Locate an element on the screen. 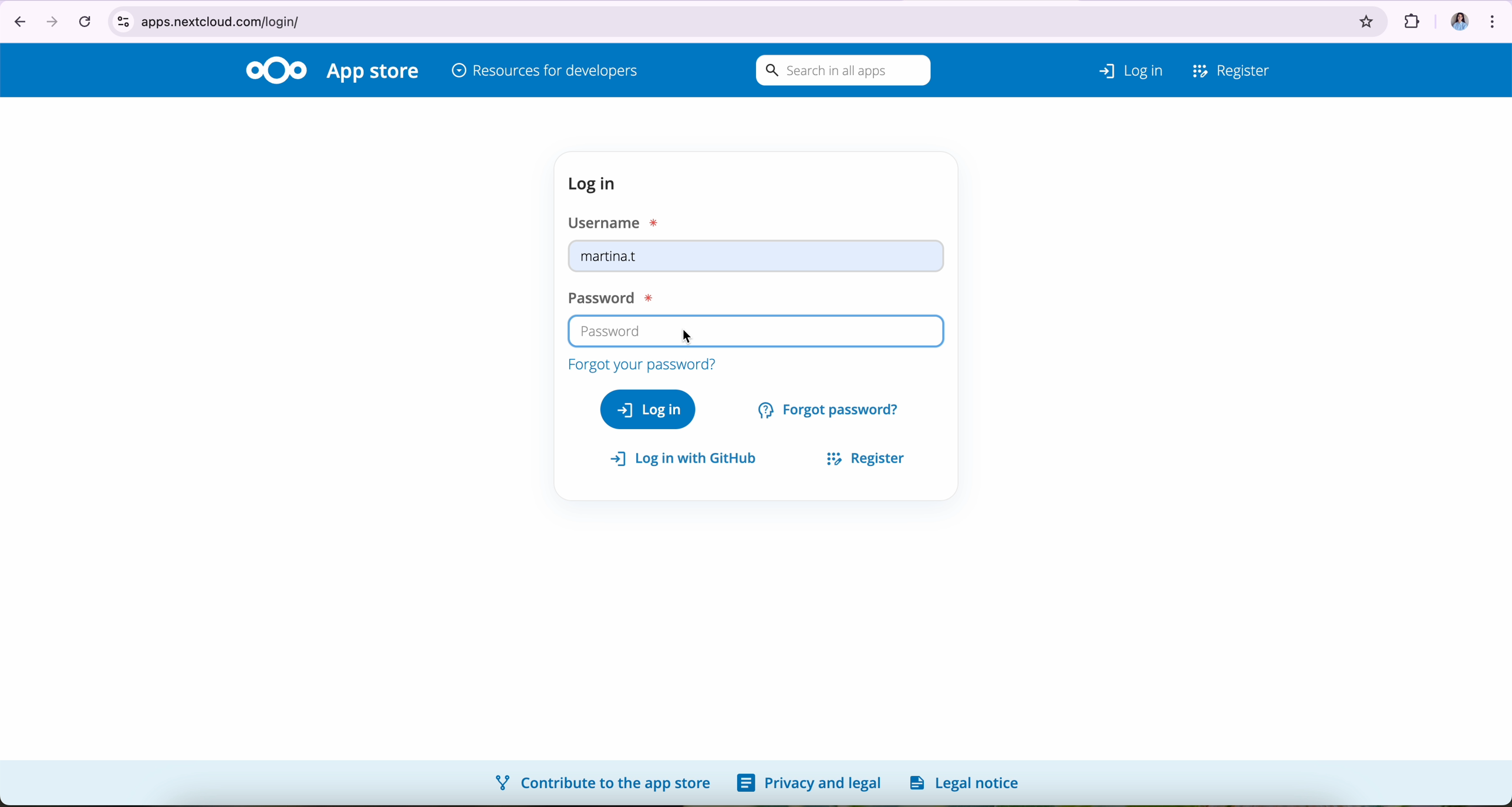  contribute to the app store is located at coordinates (601, 782).